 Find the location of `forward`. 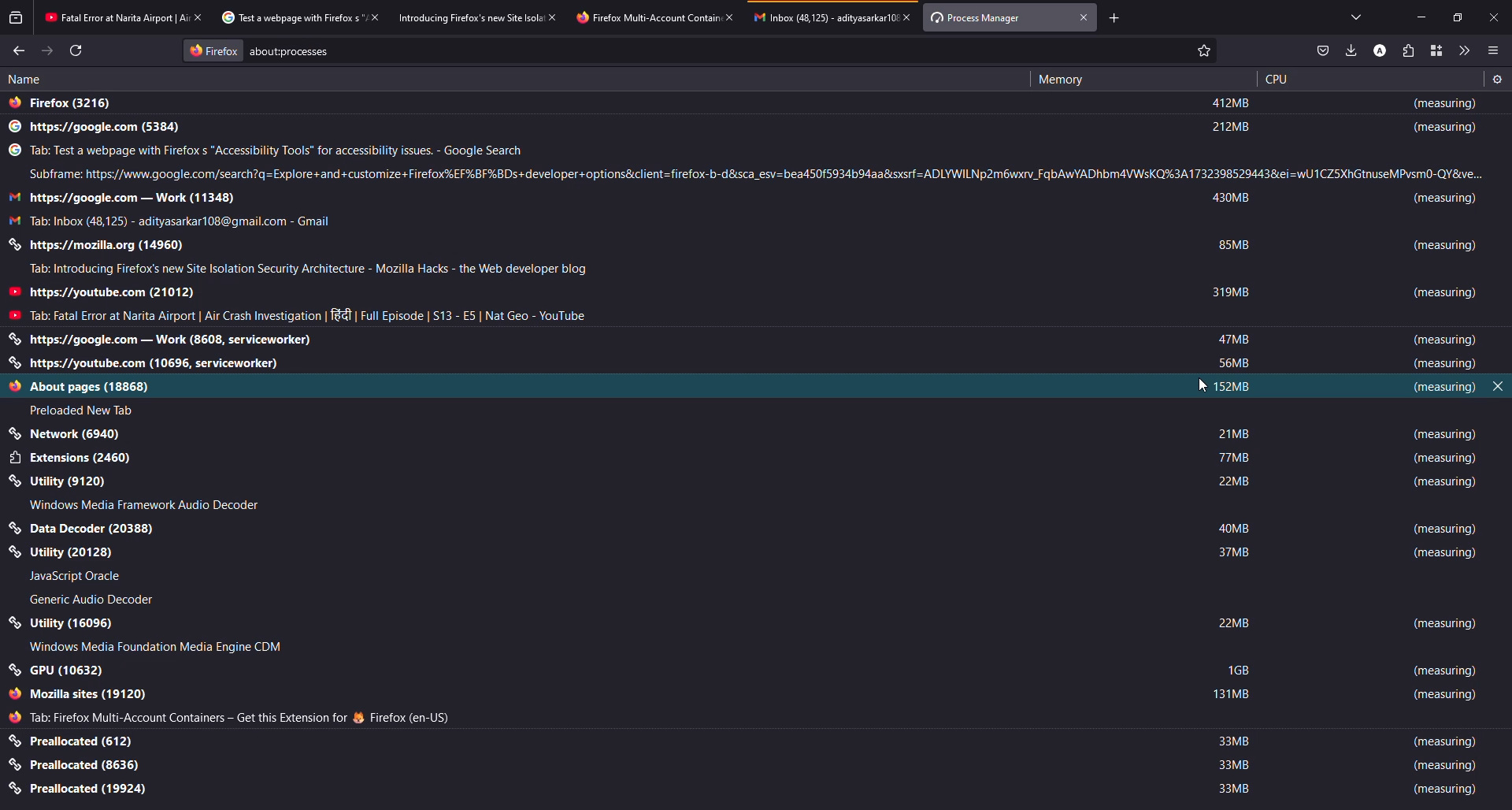

forward is located at coordinates (46, 51).